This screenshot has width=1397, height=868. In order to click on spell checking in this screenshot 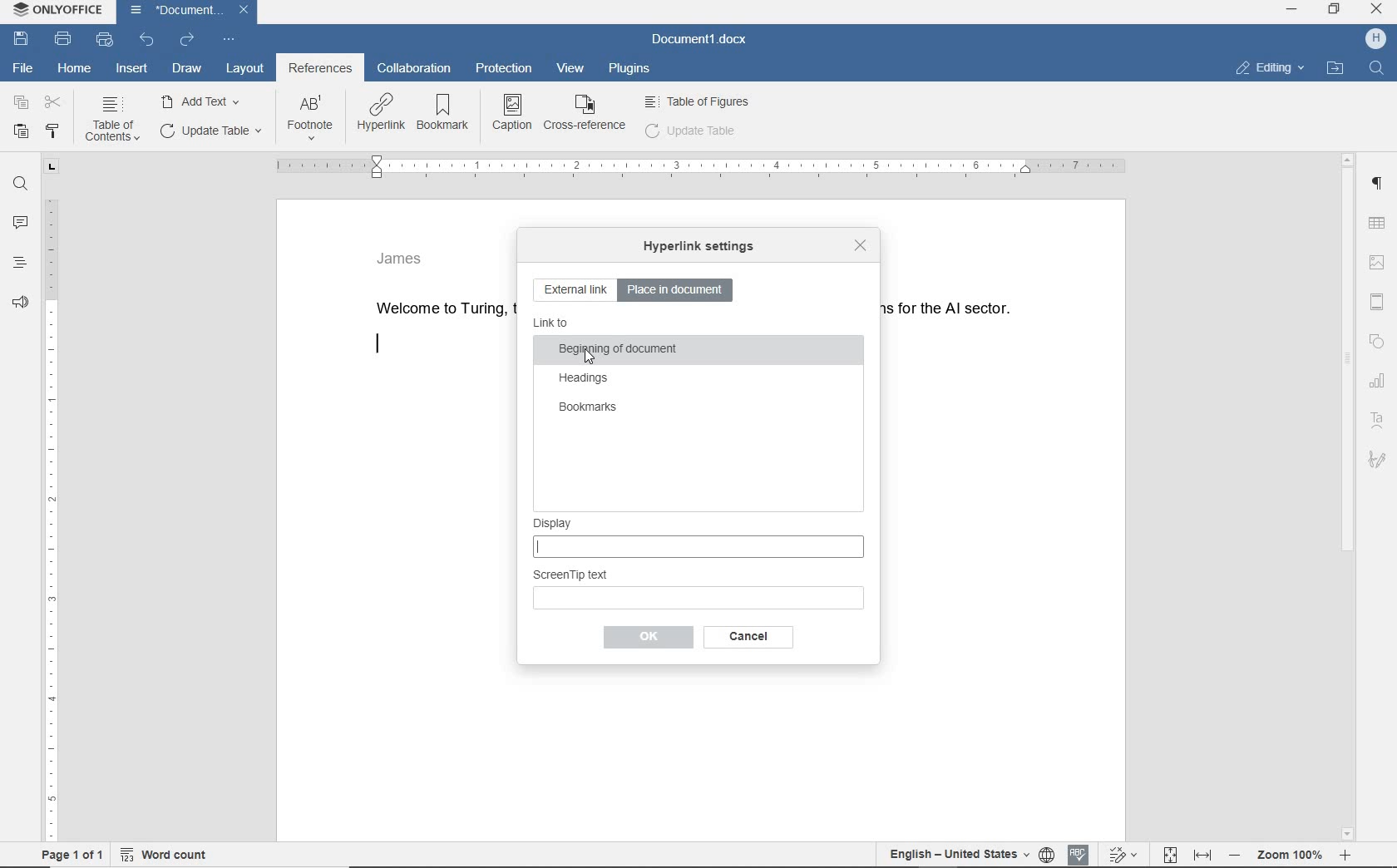, I will do `click(1079, 854)`.